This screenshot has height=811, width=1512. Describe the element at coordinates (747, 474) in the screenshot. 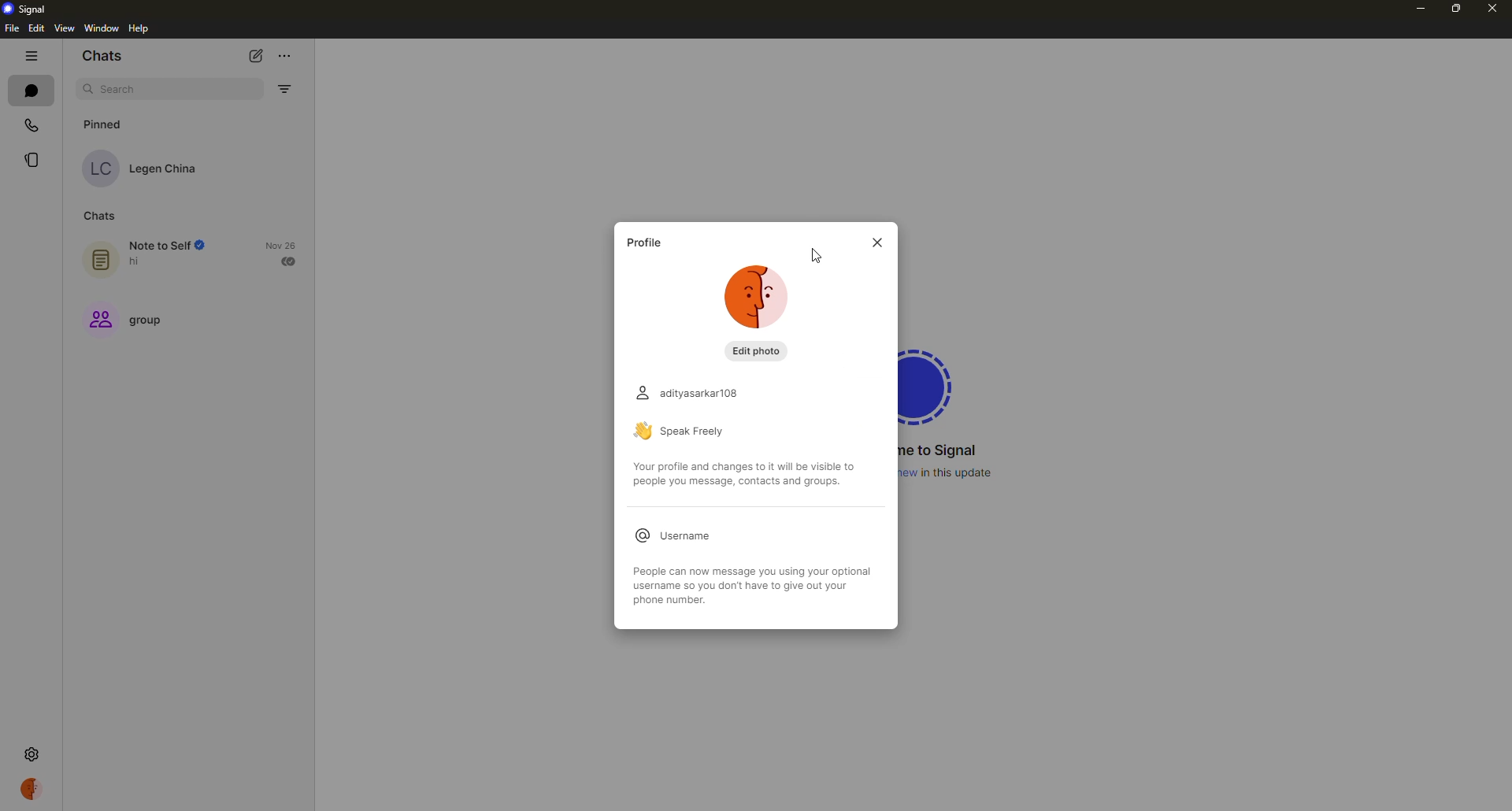

I see `information about profile` at that location.